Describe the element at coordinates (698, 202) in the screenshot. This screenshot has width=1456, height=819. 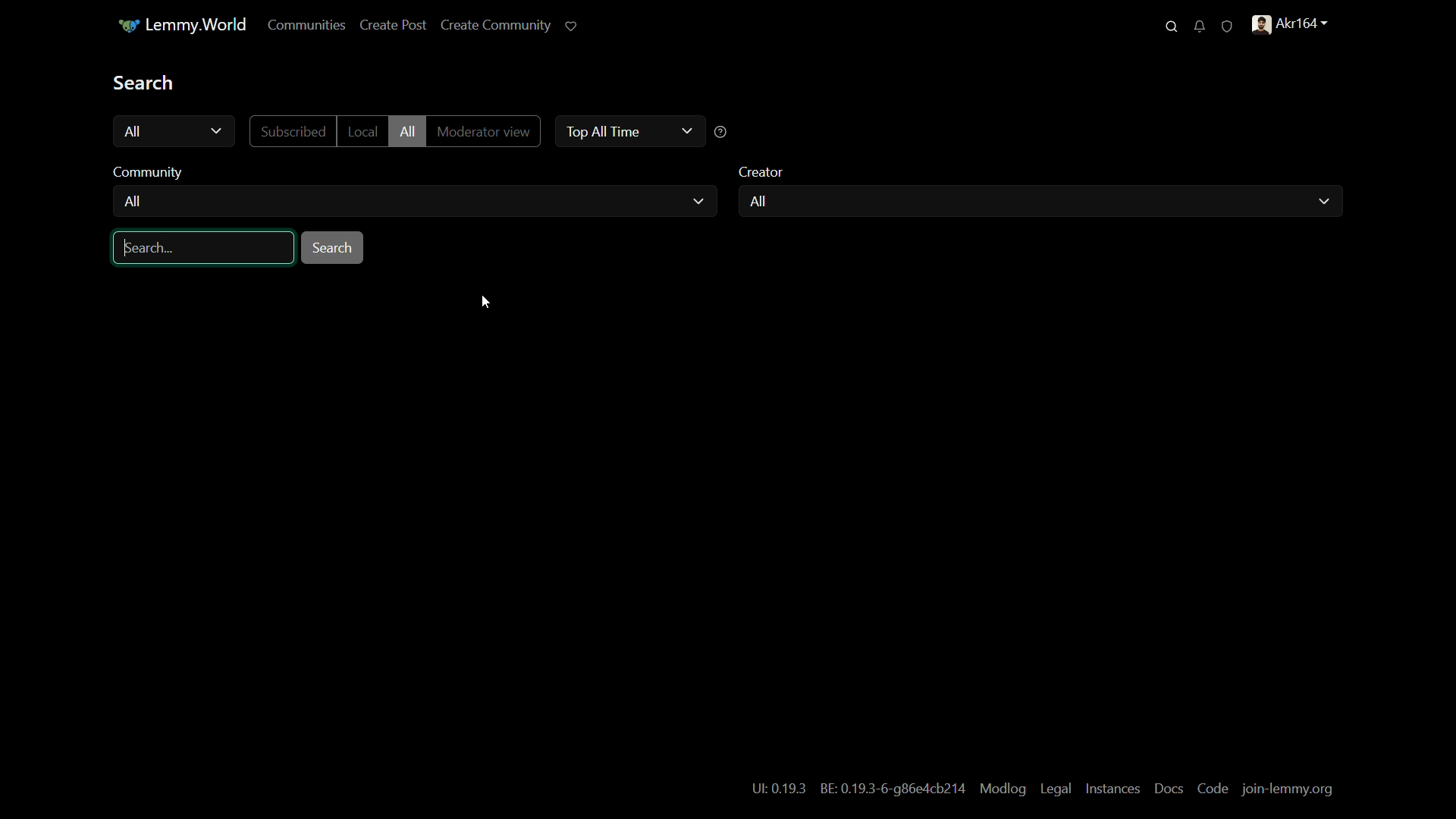
I see `dropdown` at that location.